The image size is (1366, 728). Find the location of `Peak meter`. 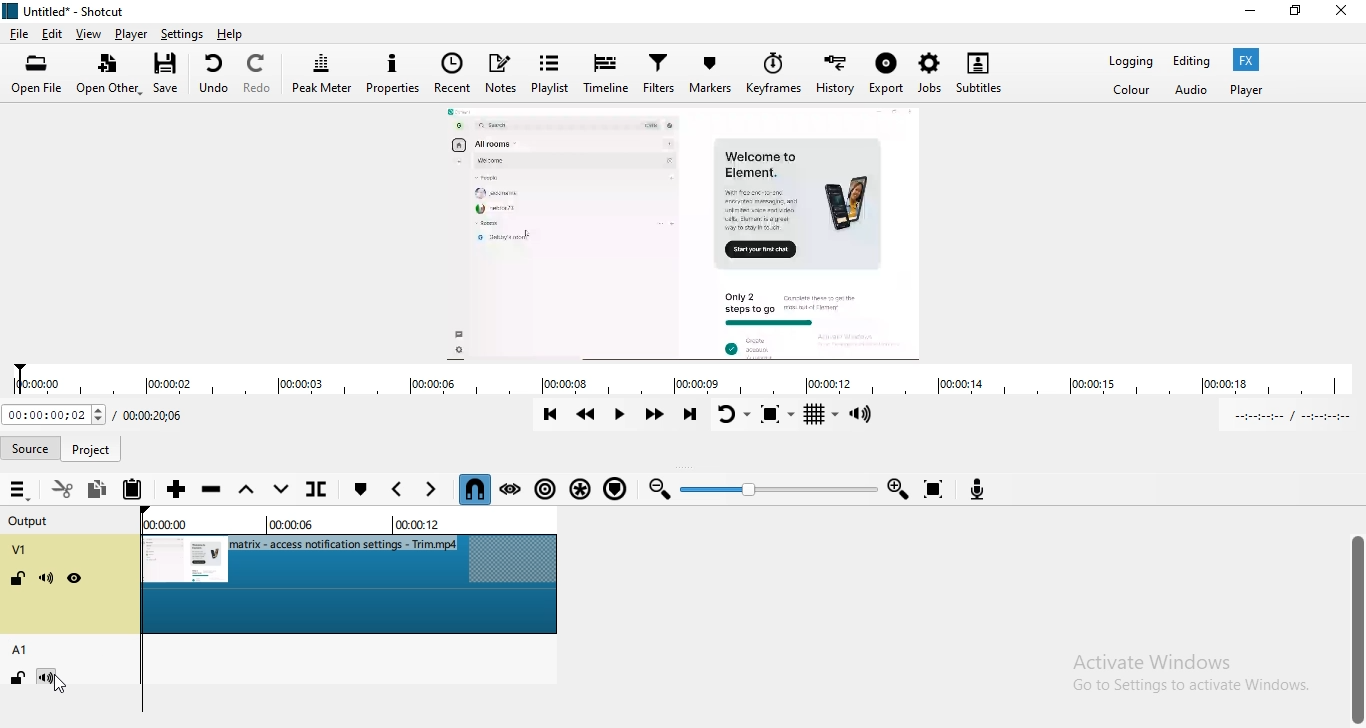

Peak meter is located at coordinates (322, 75).